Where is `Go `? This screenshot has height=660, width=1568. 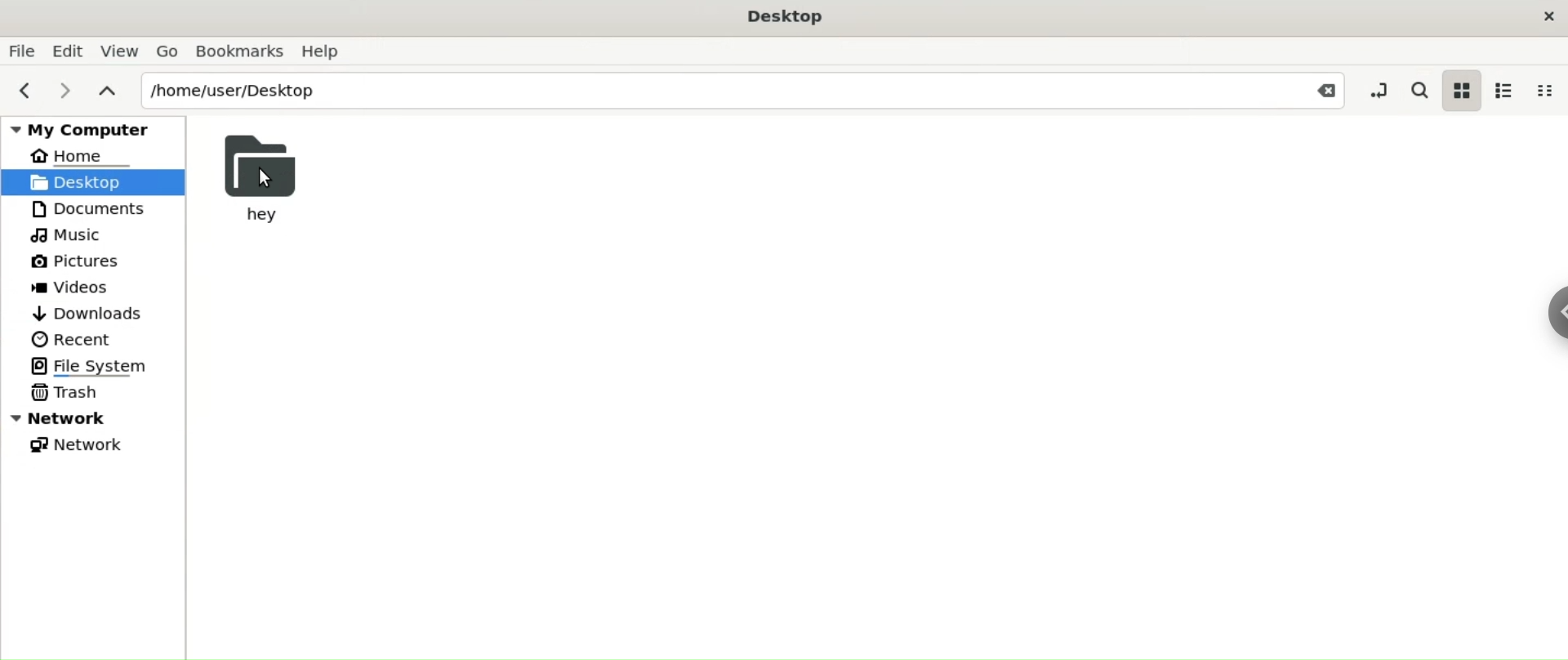 Go  is located at coordinates (169, 51).